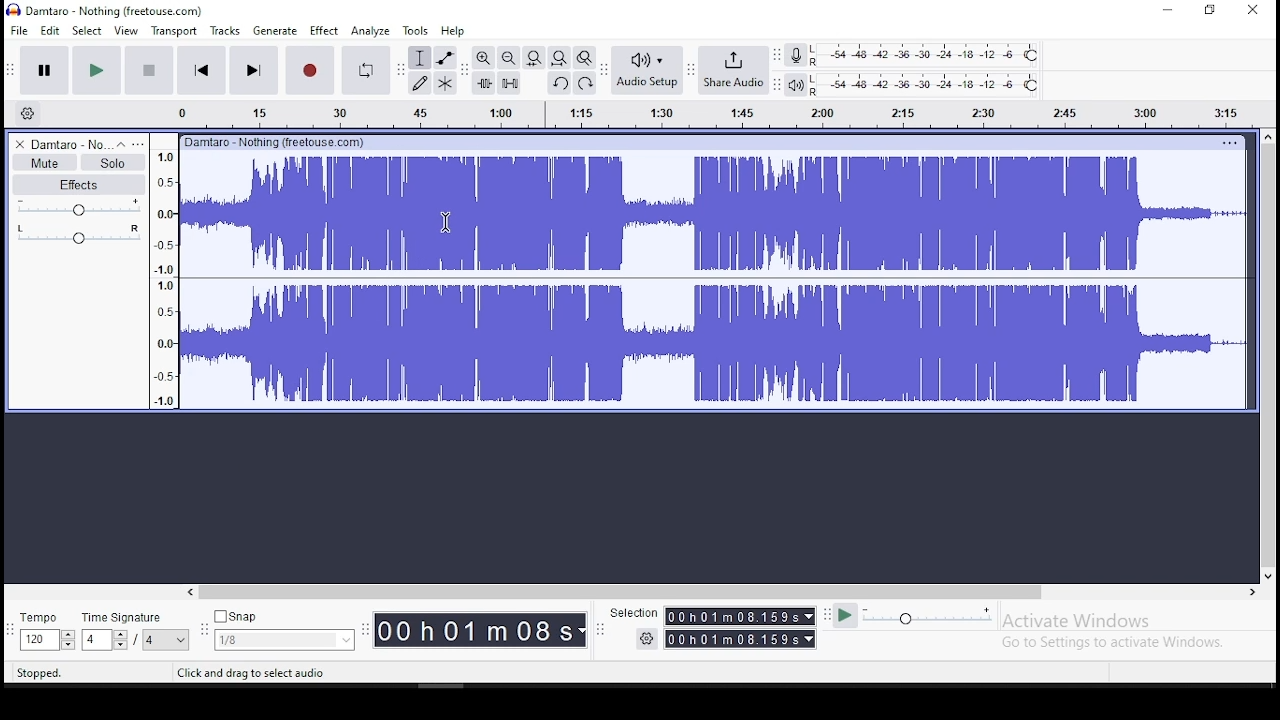 The image size is (1280, 720). I want to click on playback level, so click(925, 84).